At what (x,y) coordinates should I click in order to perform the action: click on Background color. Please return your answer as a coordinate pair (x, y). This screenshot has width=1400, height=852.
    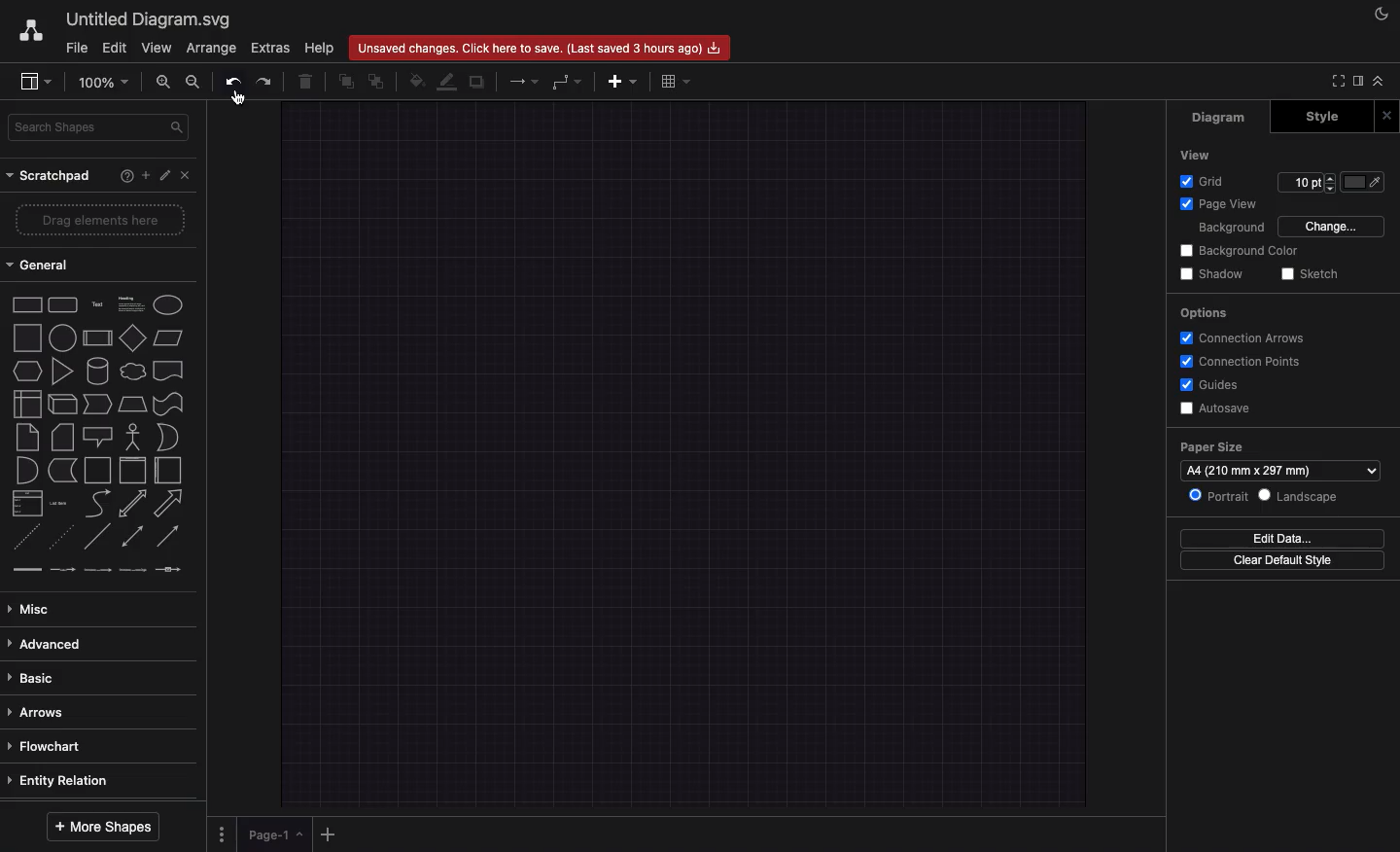
    Looking at the image, I should click on (1238, 250).